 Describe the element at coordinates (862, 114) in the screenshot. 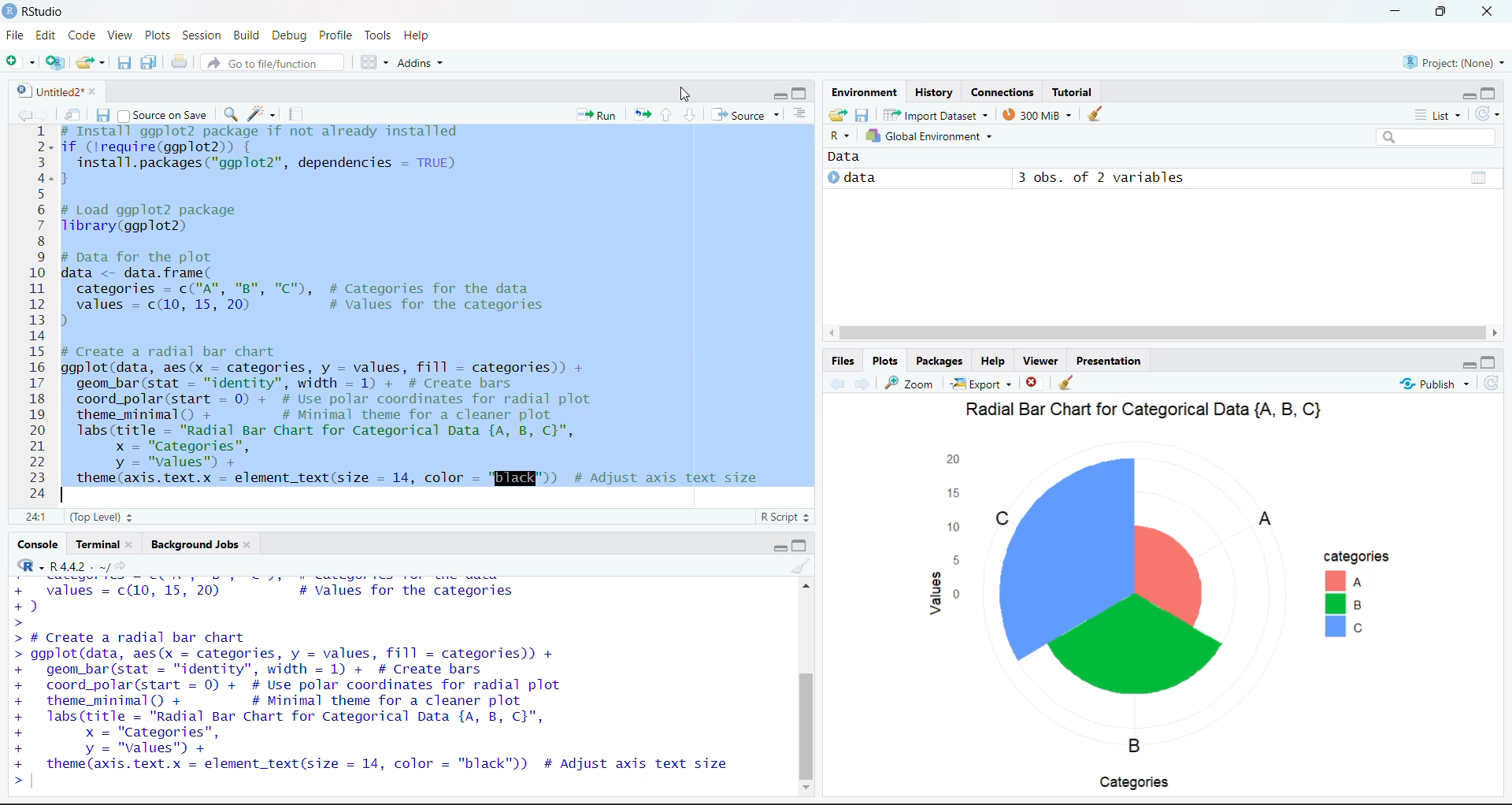

I see `save` at that location.